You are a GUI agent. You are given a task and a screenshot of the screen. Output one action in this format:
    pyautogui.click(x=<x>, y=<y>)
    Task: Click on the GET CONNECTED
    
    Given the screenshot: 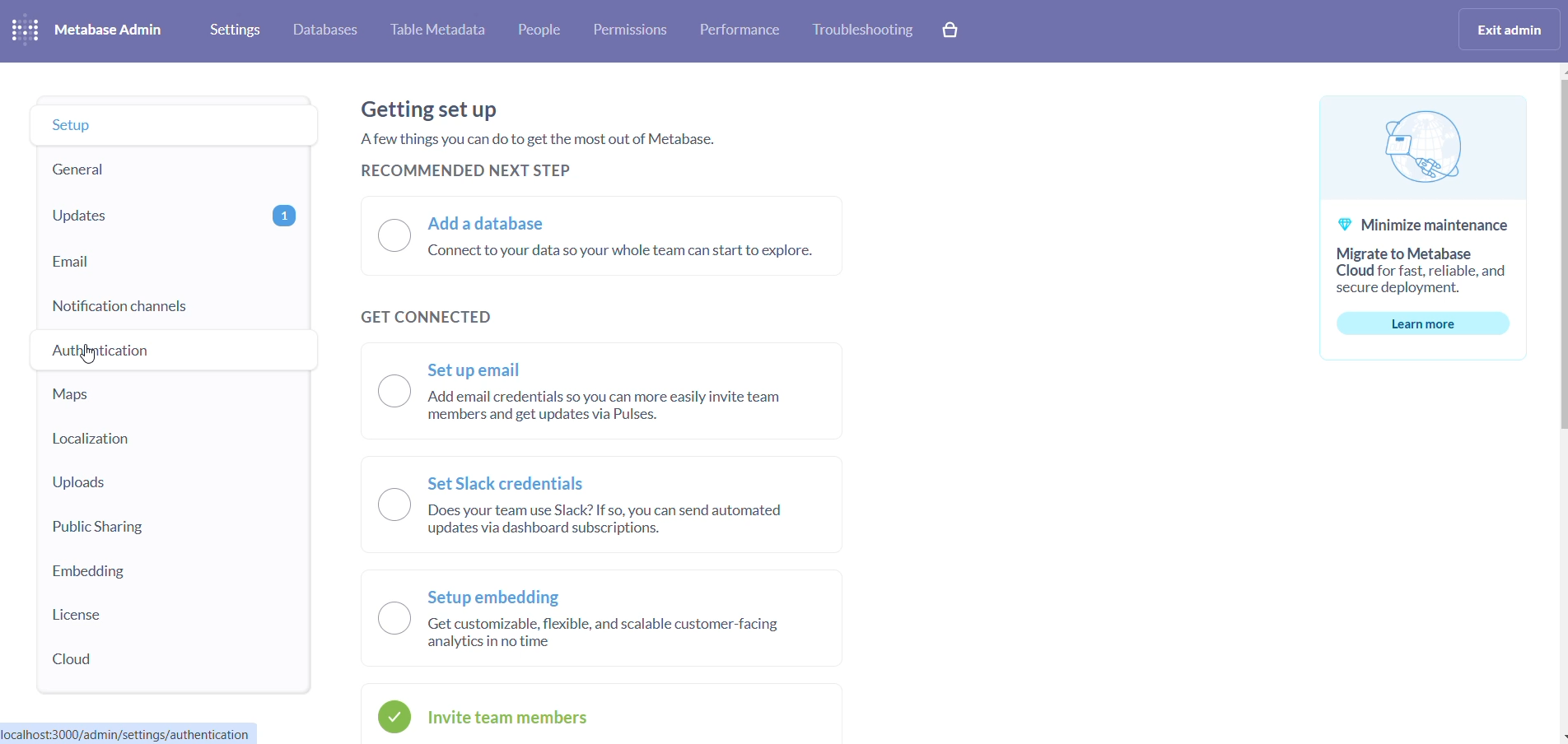 What is the action you would take?
    pyautogui.click(x=430, y=316)
    